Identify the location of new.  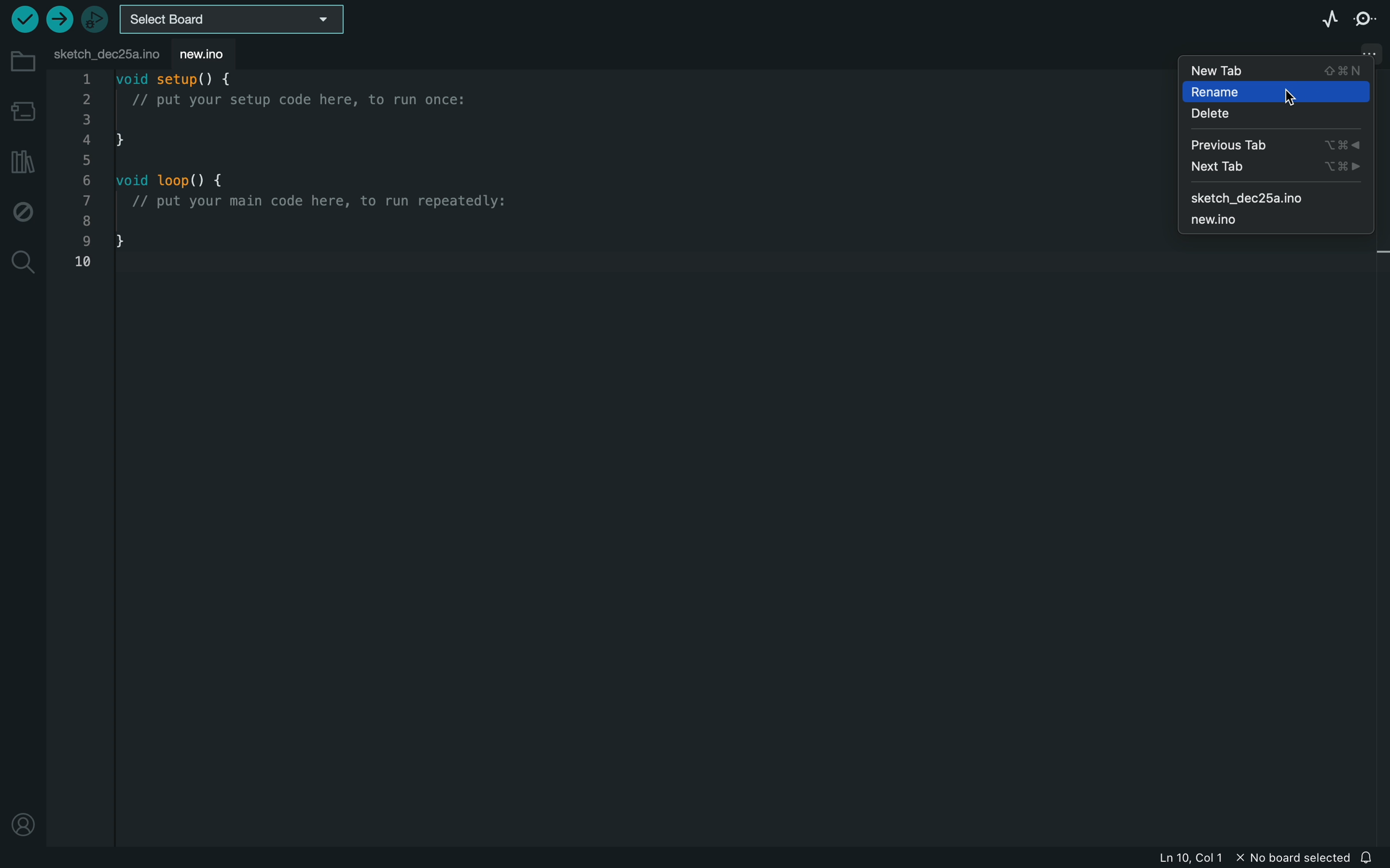
(1276, 222).